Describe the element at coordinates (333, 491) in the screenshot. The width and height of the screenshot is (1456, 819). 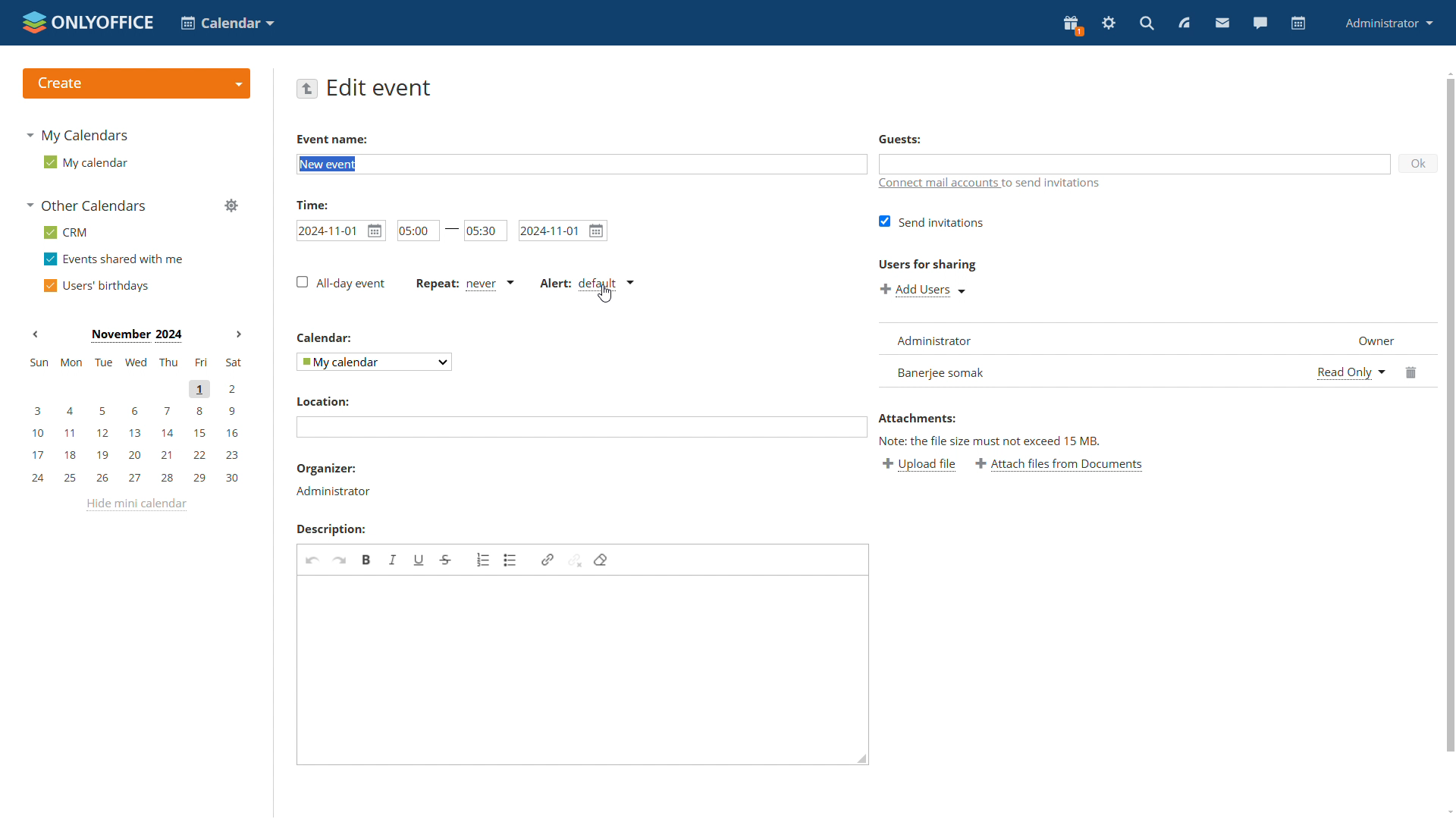
I see `host` at that location.